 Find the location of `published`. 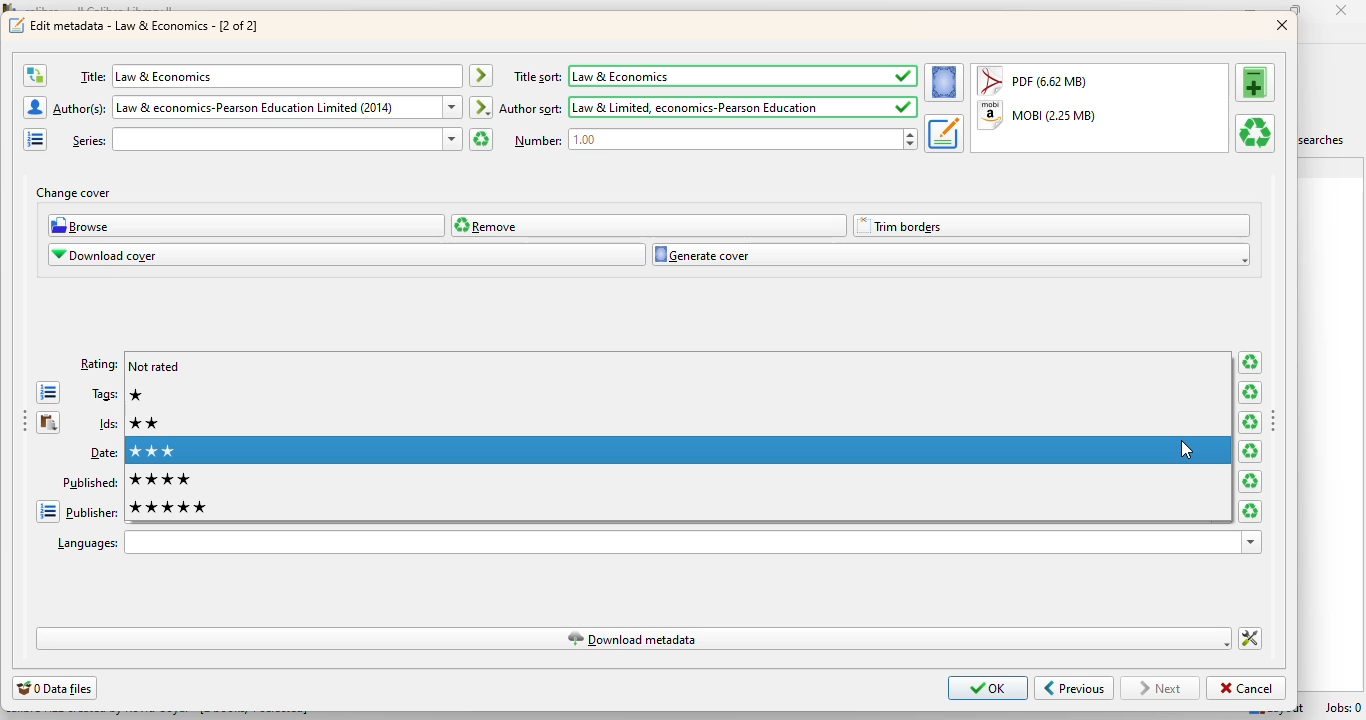

published is located at coordinates (89, 482).